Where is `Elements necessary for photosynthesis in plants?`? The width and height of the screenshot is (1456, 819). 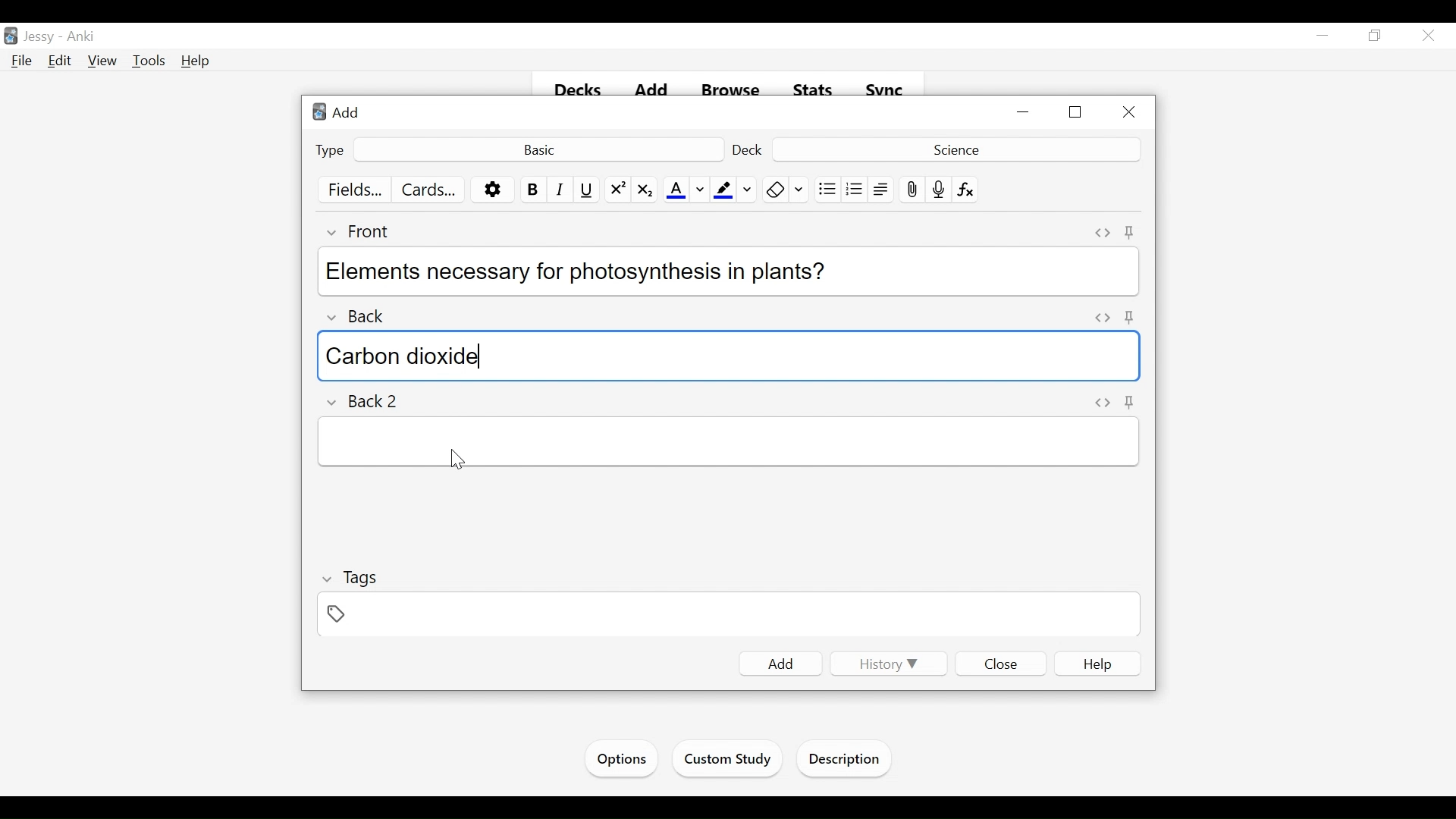 Elements necessary for photosynthesis in plants? is located at coordinates (724, 269).